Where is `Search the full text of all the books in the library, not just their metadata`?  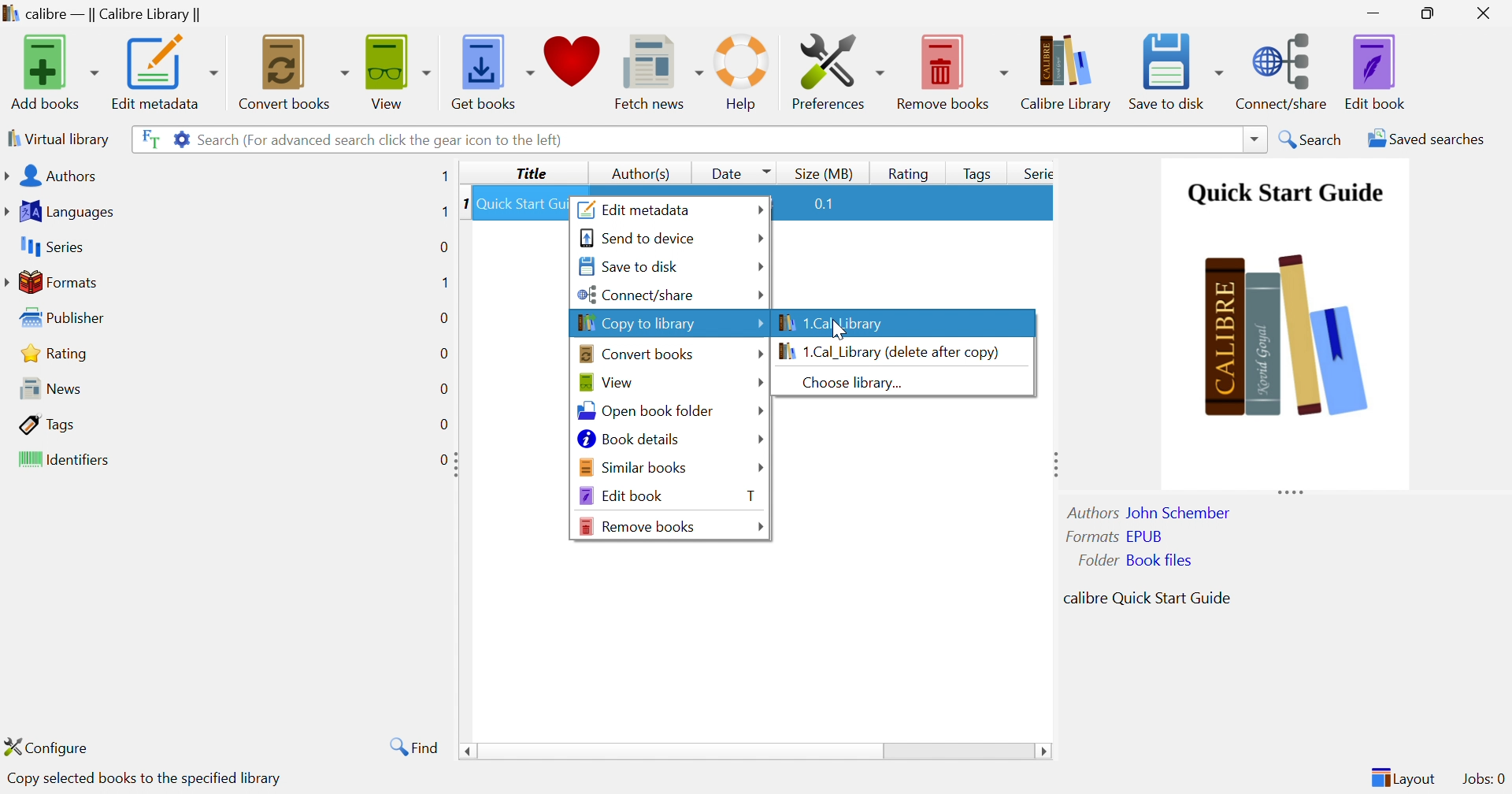 Search the full text of all the books in the library, not just their metadata is located at coordinates (147, 136).